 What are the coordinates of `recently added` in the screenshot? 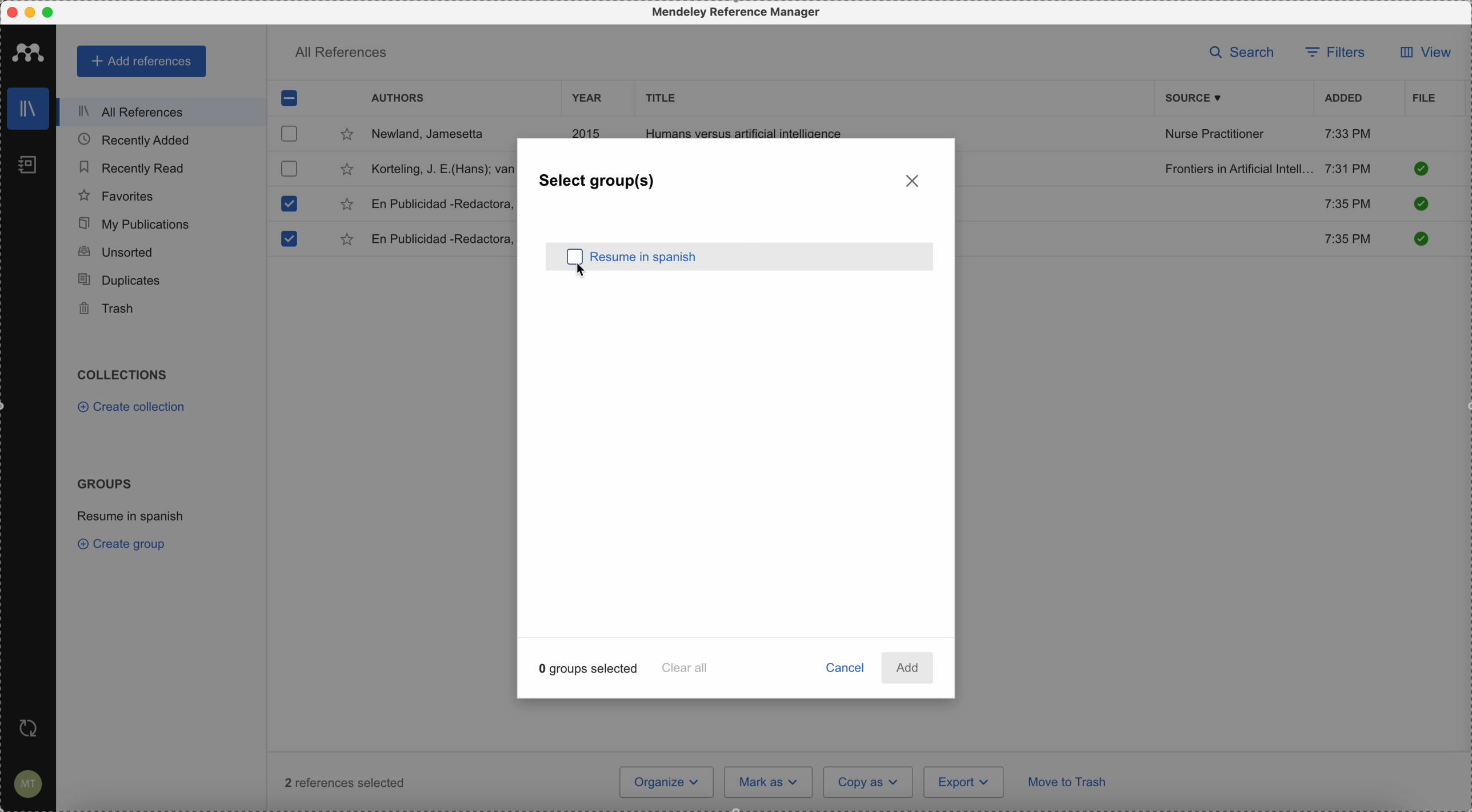 It's located at (143, 139).